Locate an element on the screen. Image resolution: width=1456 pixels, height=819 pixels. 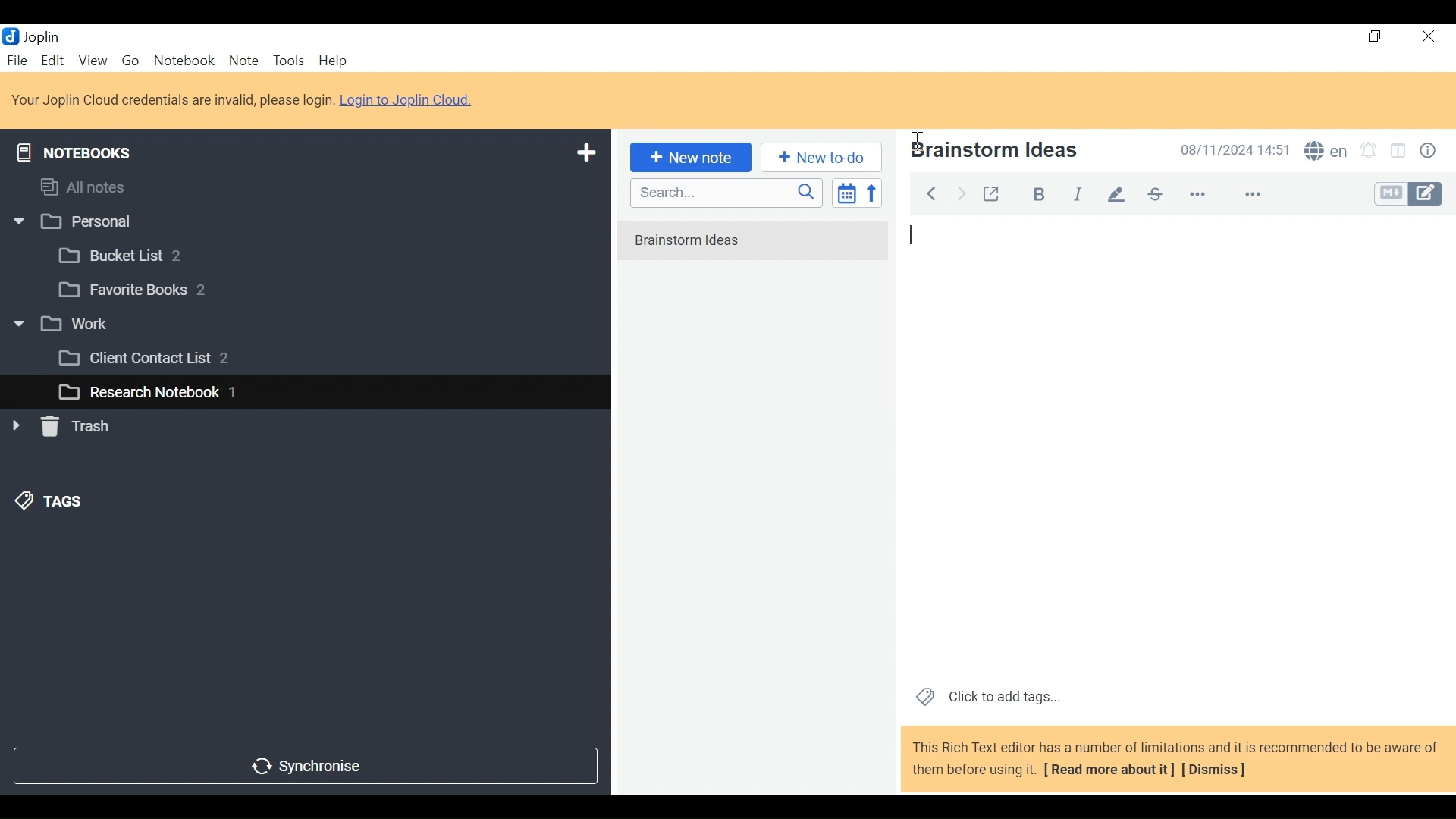
Toggle sort order field is located at coordinates (845, 192).